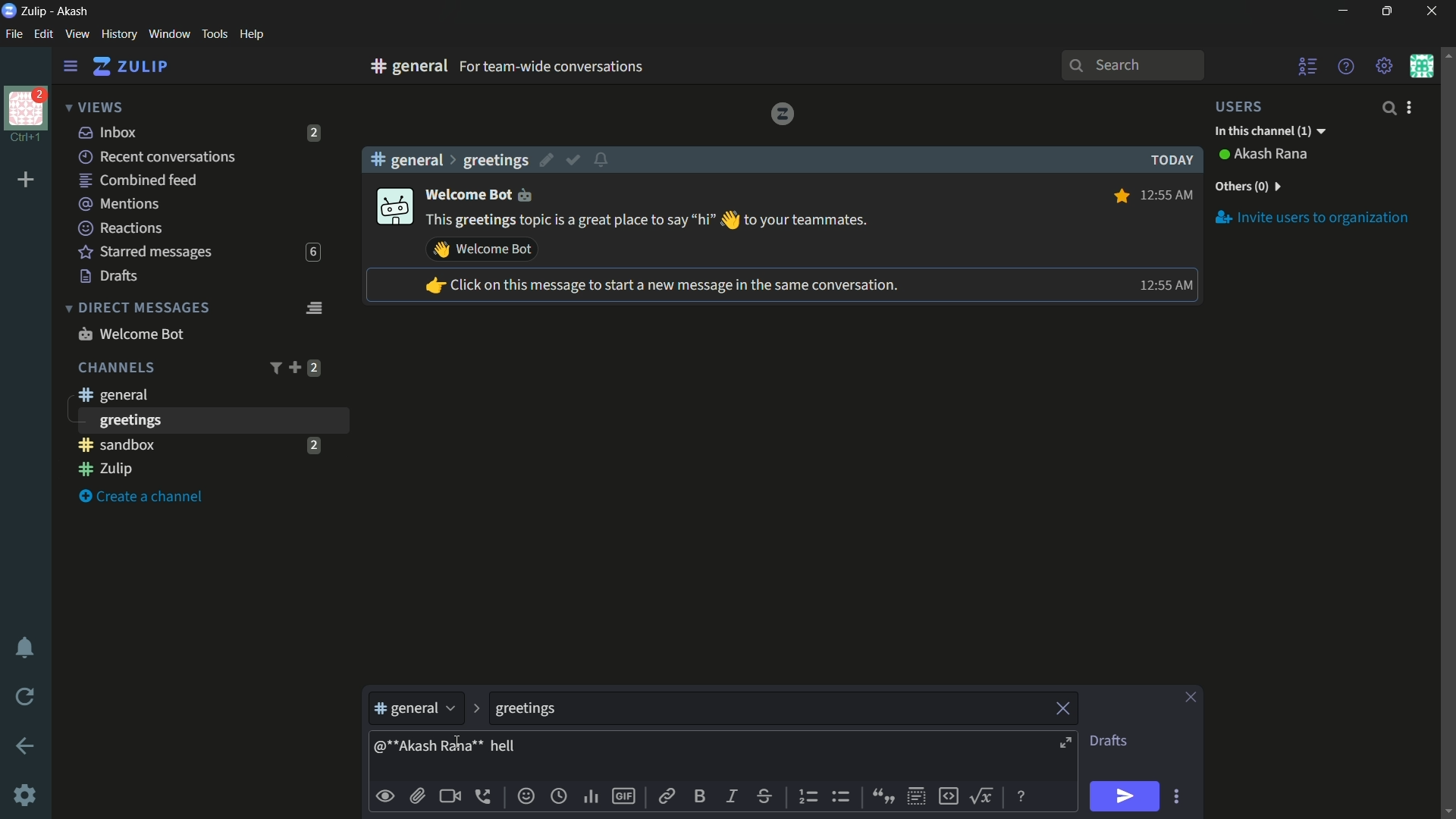  I want to click on zulip, so click(130, 67).